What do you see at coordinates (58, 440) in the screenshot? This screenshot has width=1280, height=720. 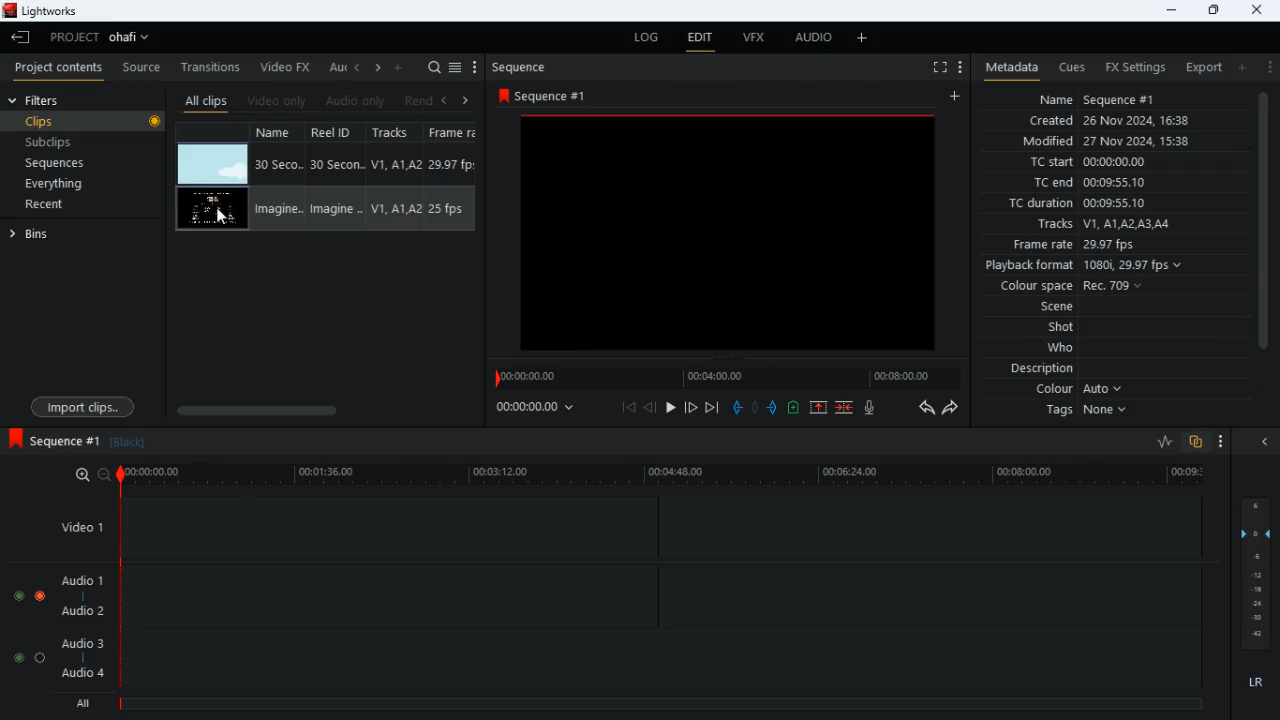 I see `sequence` at bounding box center [58, 440].